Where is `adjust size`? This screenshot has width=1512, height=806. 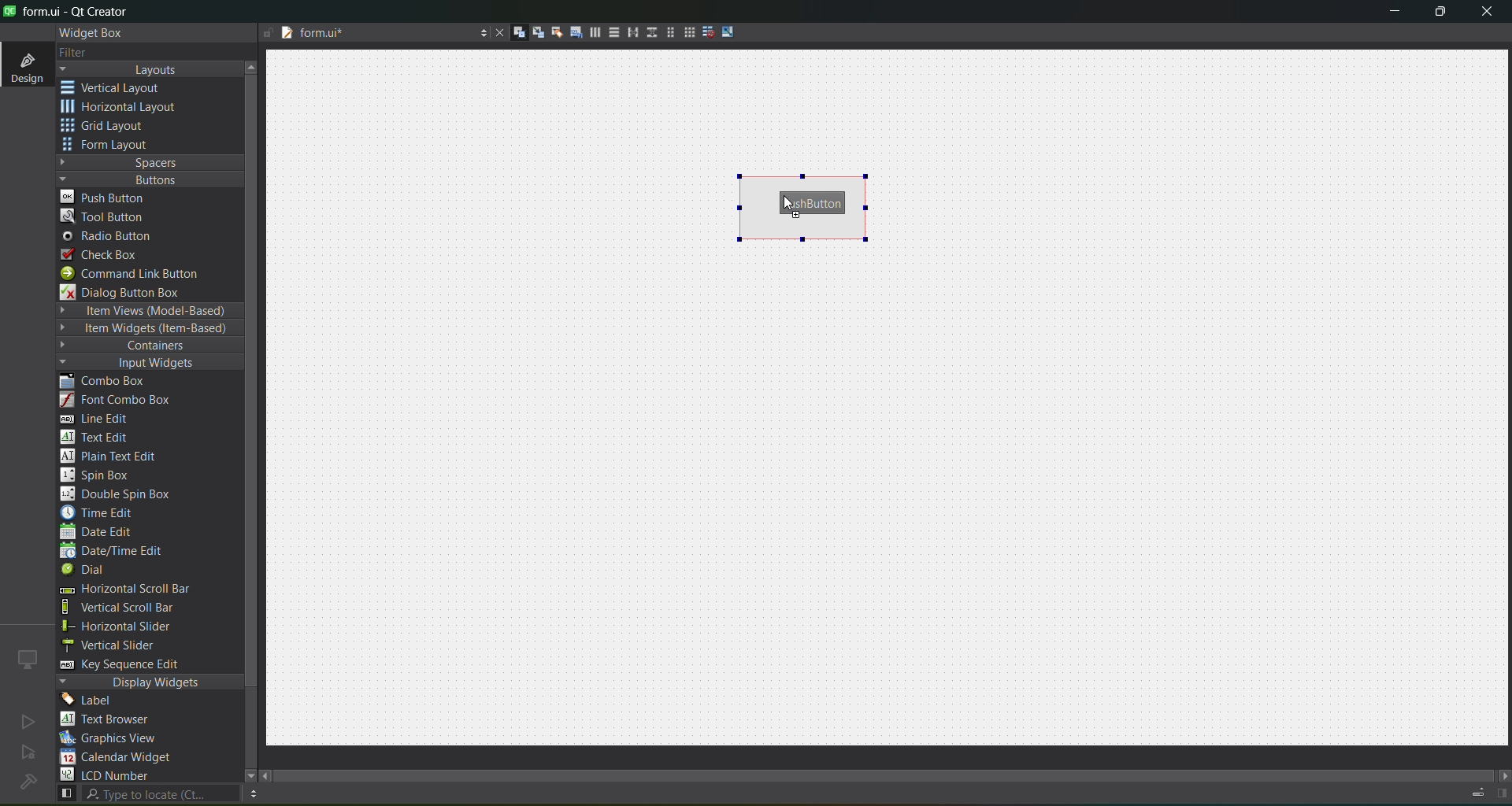
adjust size is located at coordinates (732, 31).